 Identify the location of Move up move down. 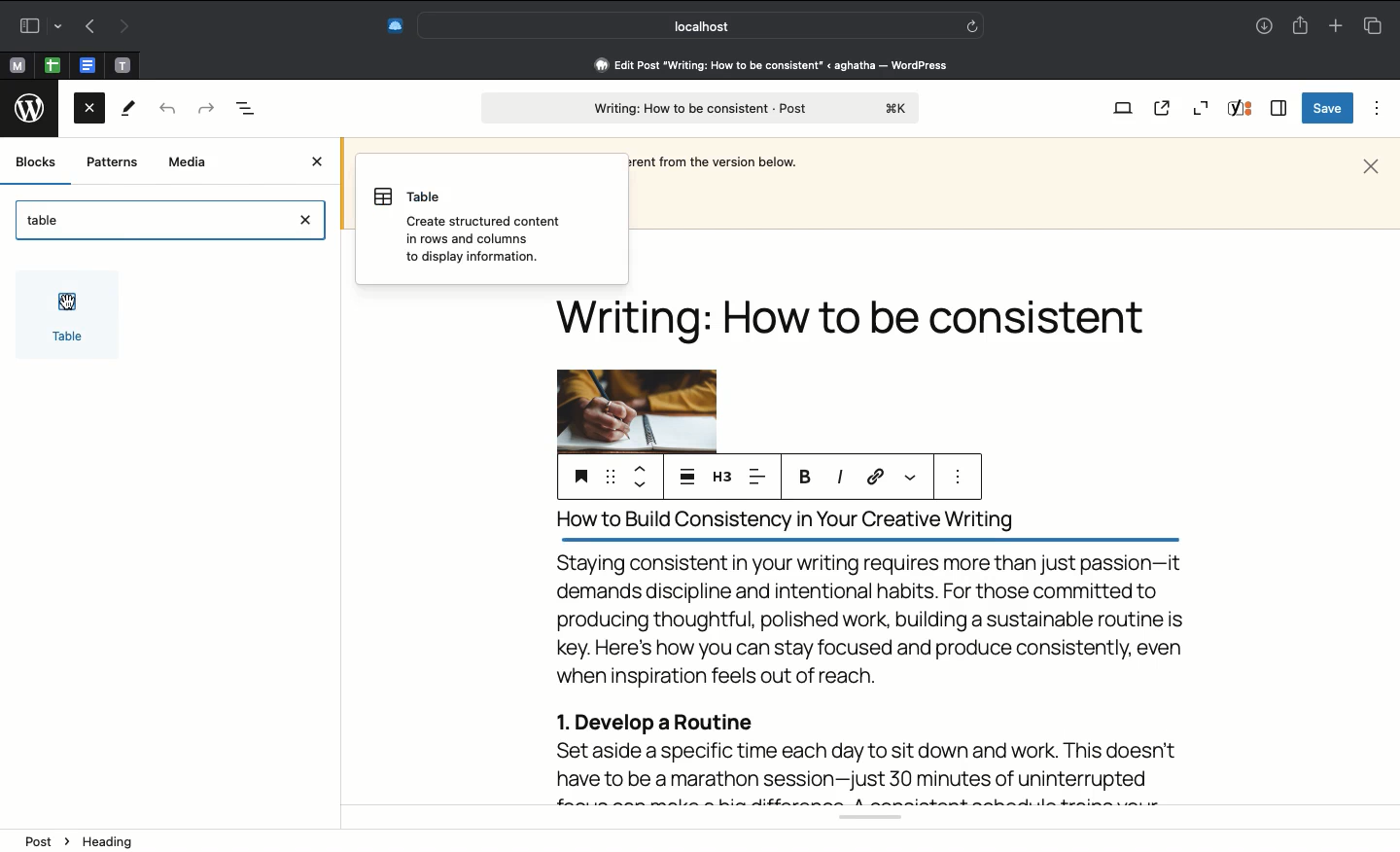
(639, 476).